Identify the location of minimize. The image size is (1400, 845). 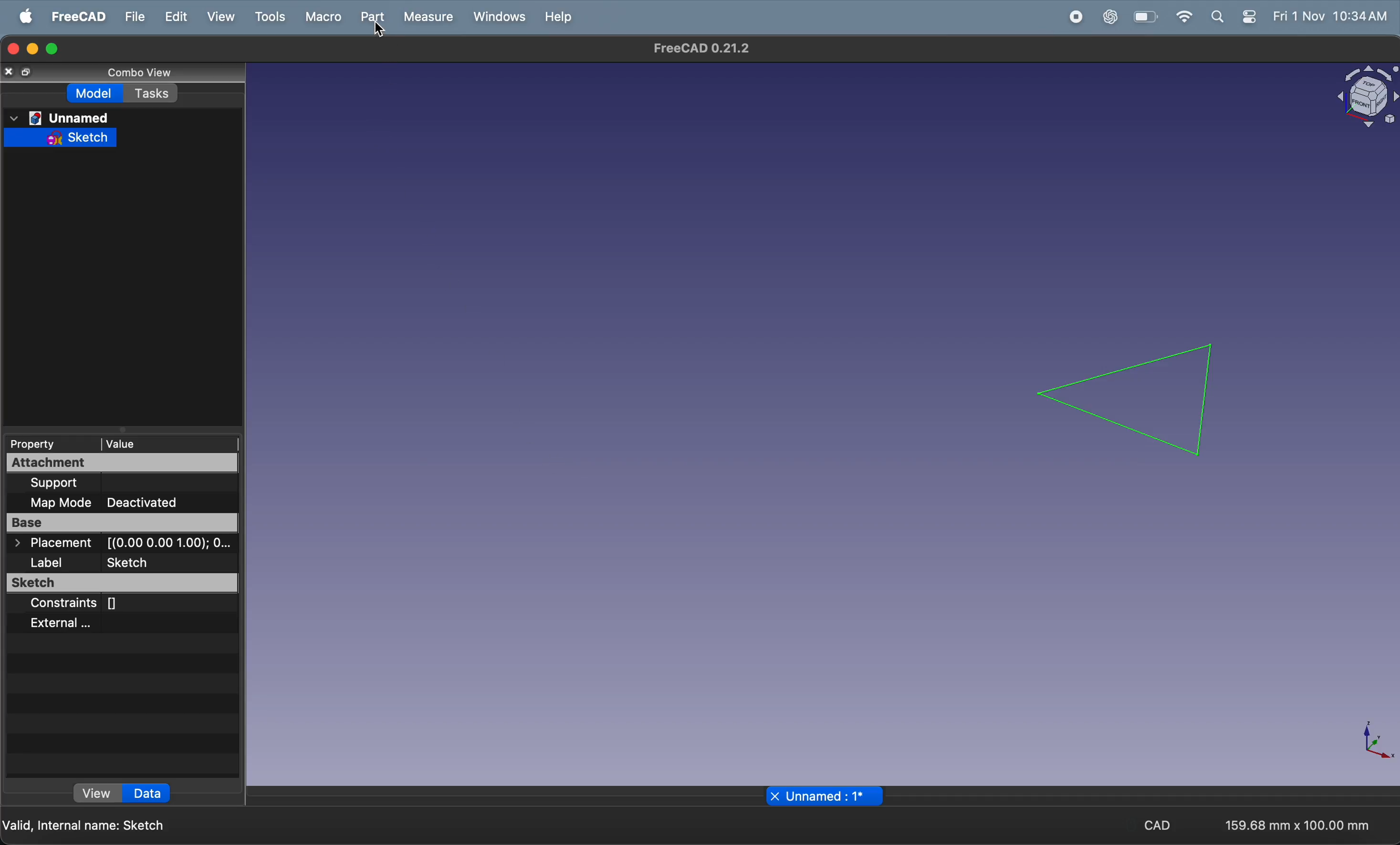
(32, 49).